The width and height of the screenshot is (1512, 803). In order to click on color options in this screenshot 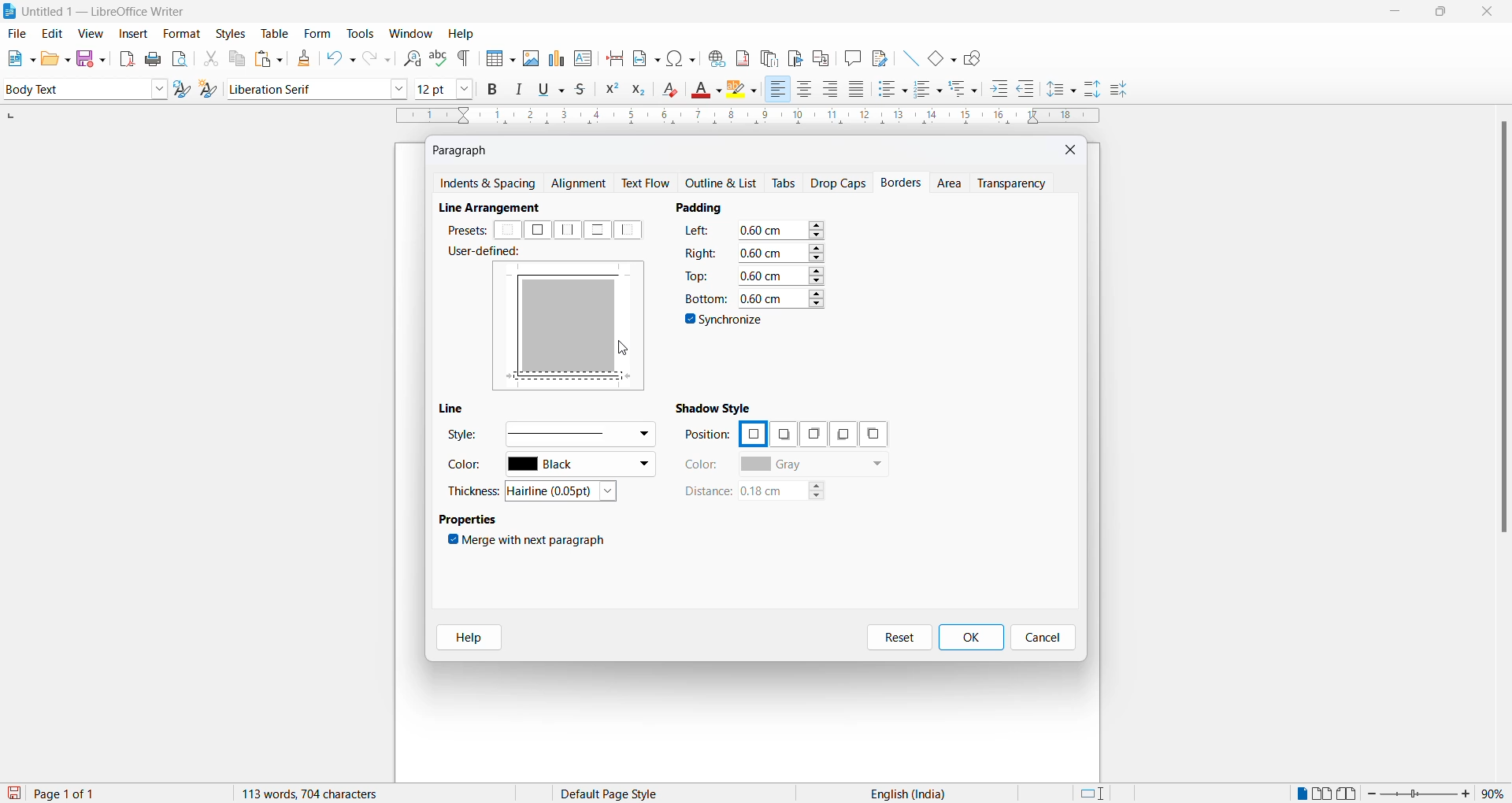, I will do `click(580, 466)`.